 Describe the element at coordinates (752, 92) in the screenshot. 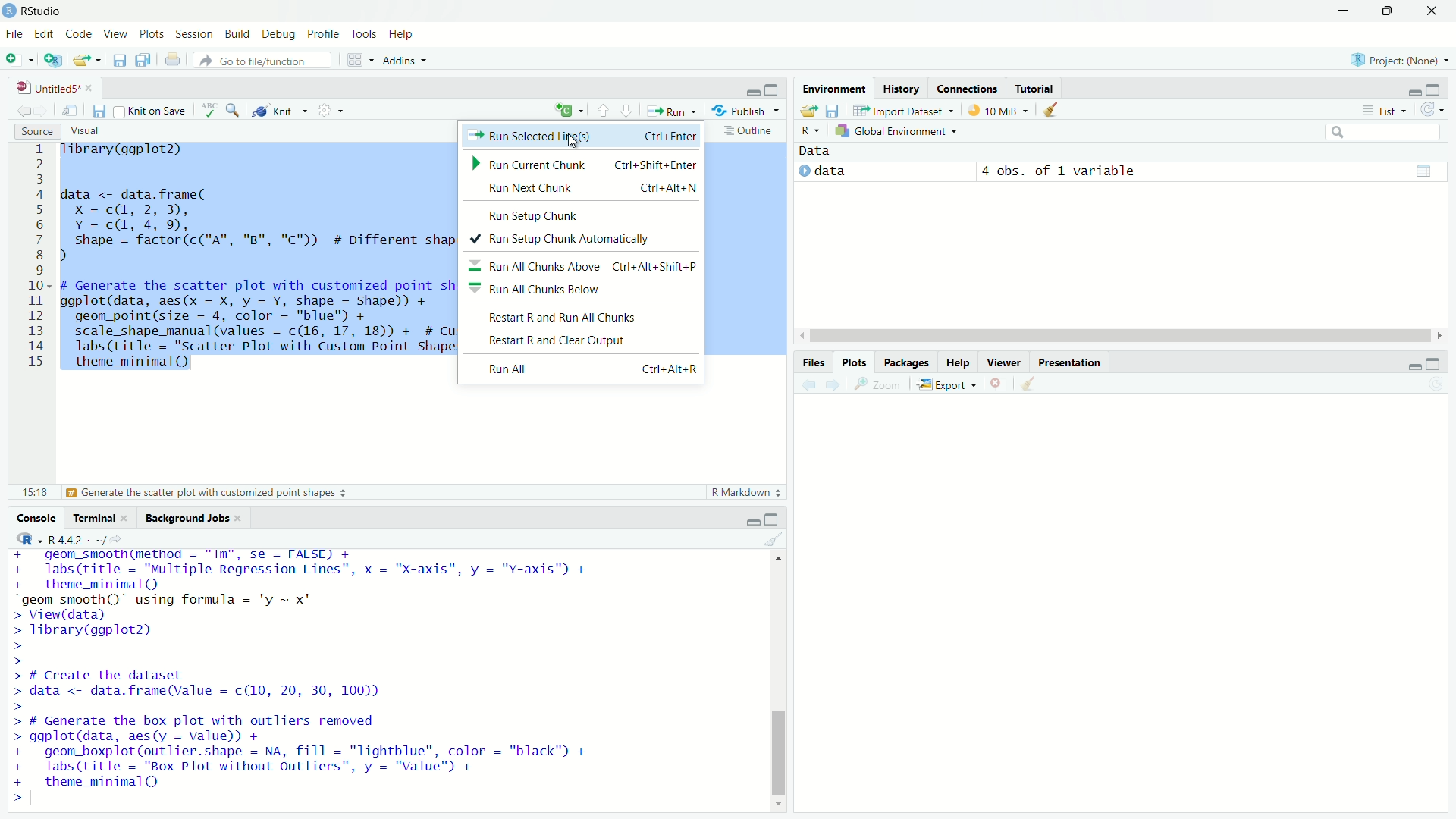

I see `minimize` at that location.